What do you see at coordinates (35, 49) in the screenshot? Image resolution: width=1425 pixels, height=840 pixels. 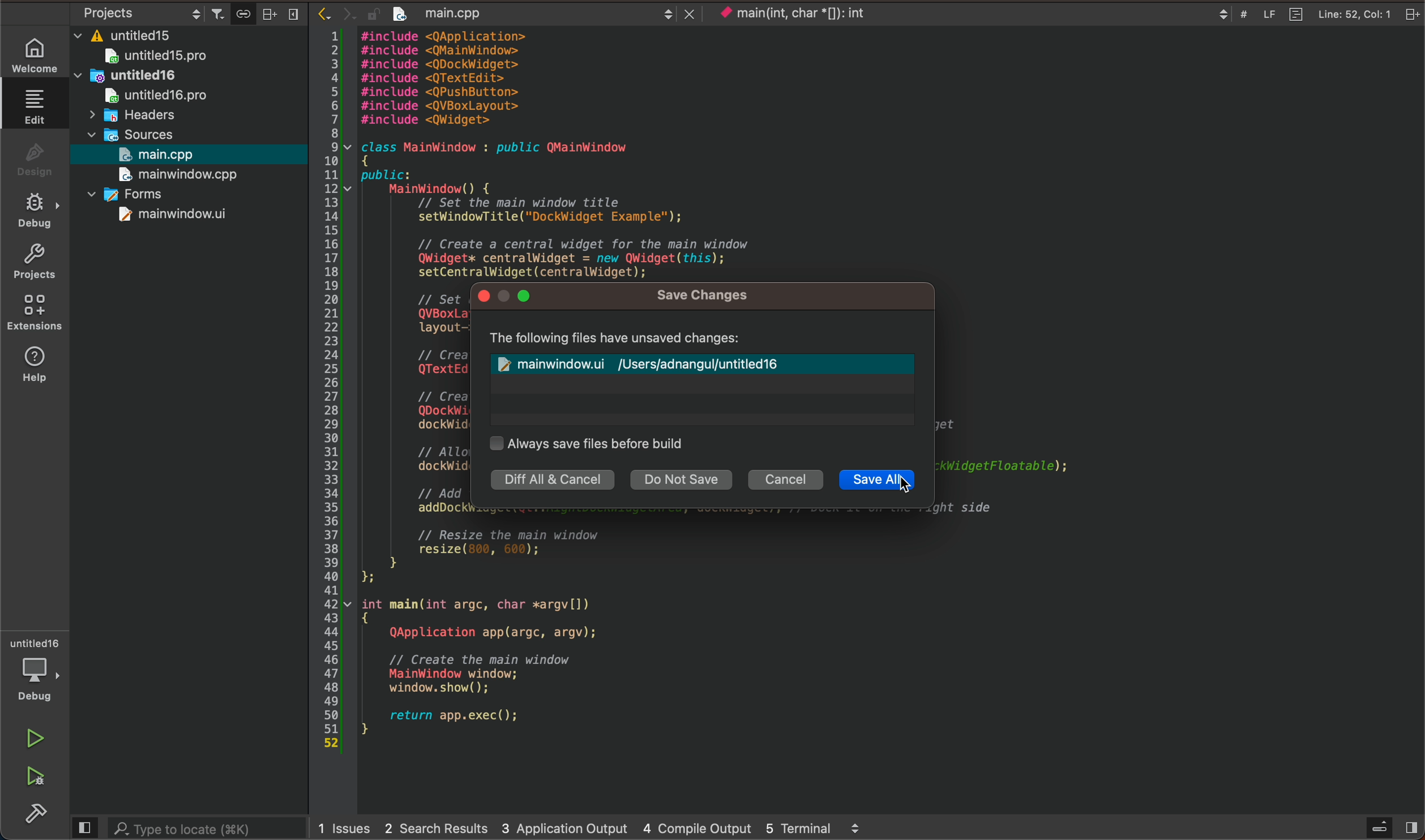 I see `welcome` at bounding box center [35, 49].